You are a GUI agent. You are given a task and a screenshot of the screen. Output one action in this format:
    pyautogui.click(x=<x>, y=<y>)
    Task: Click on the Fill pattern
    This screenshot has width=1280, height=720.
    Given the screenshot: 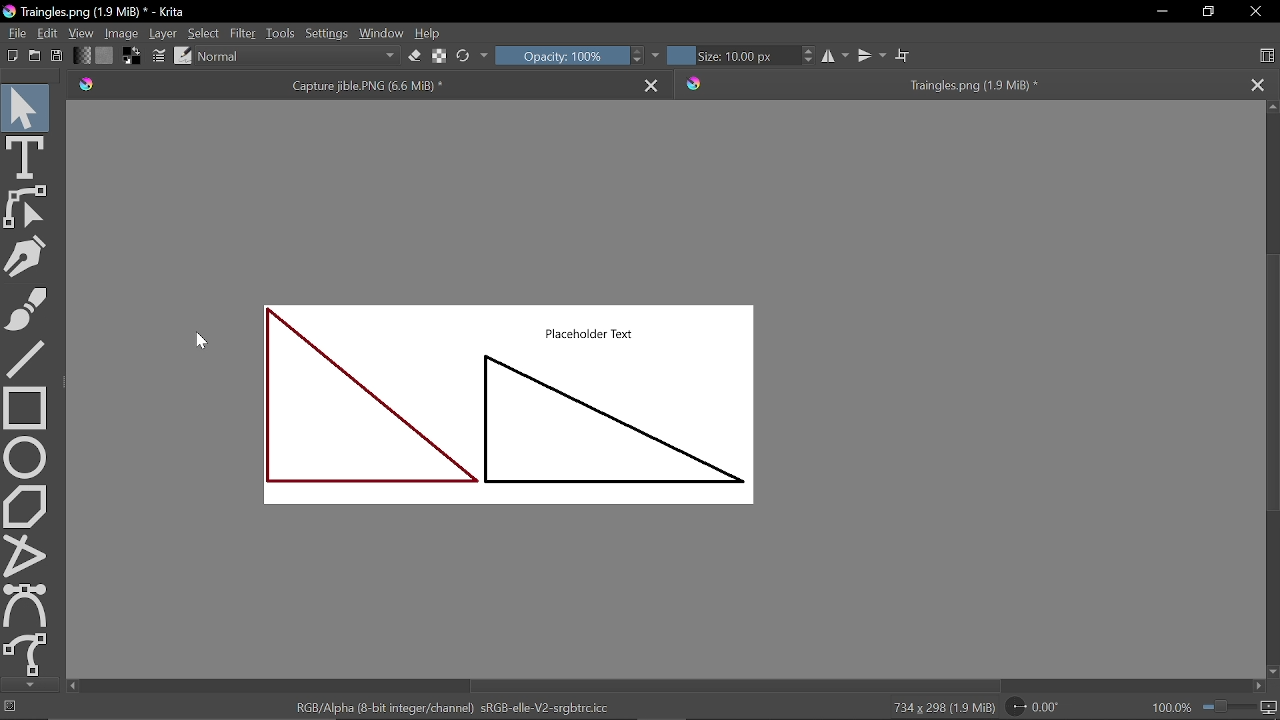 What is the action you would take?
    pyautogui.click(x=105, y=55)
    